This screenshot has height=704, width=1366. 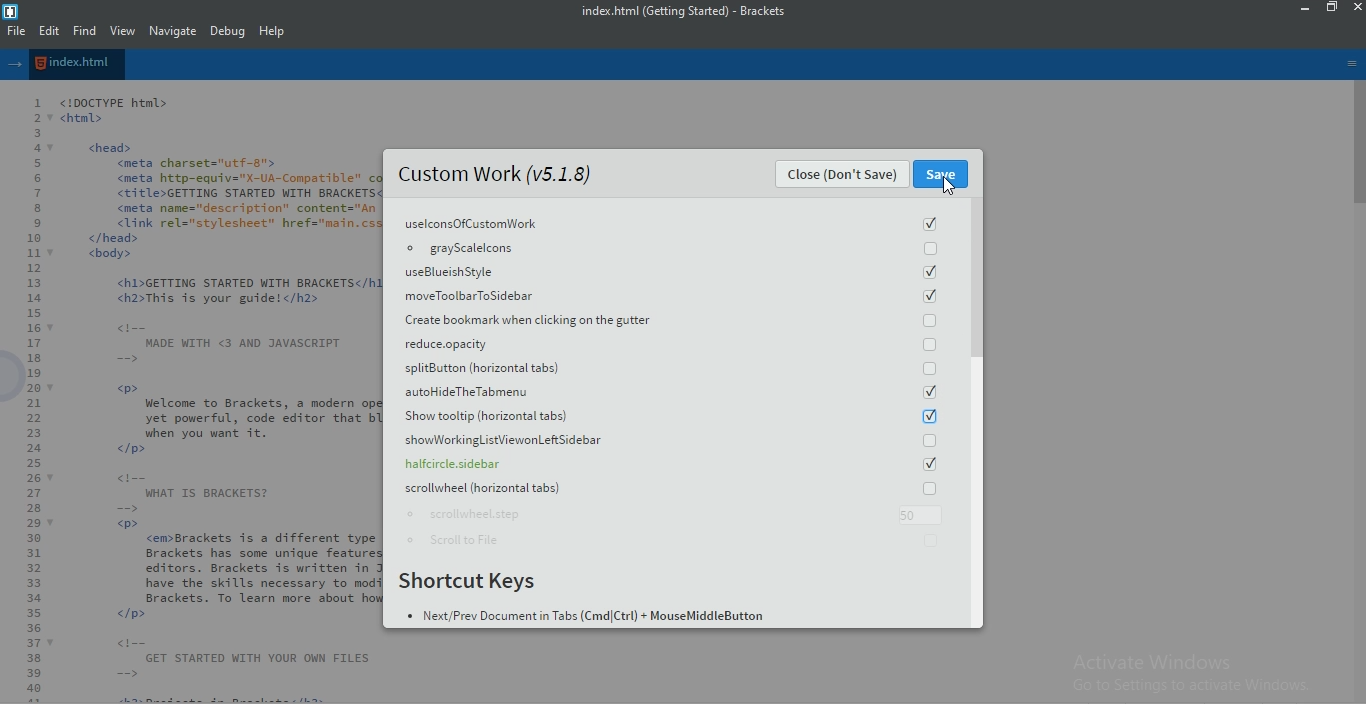 What do you see at coordinates (229, 31) in the screenshot?
I see `Debug` at bounding box center [229, 31].